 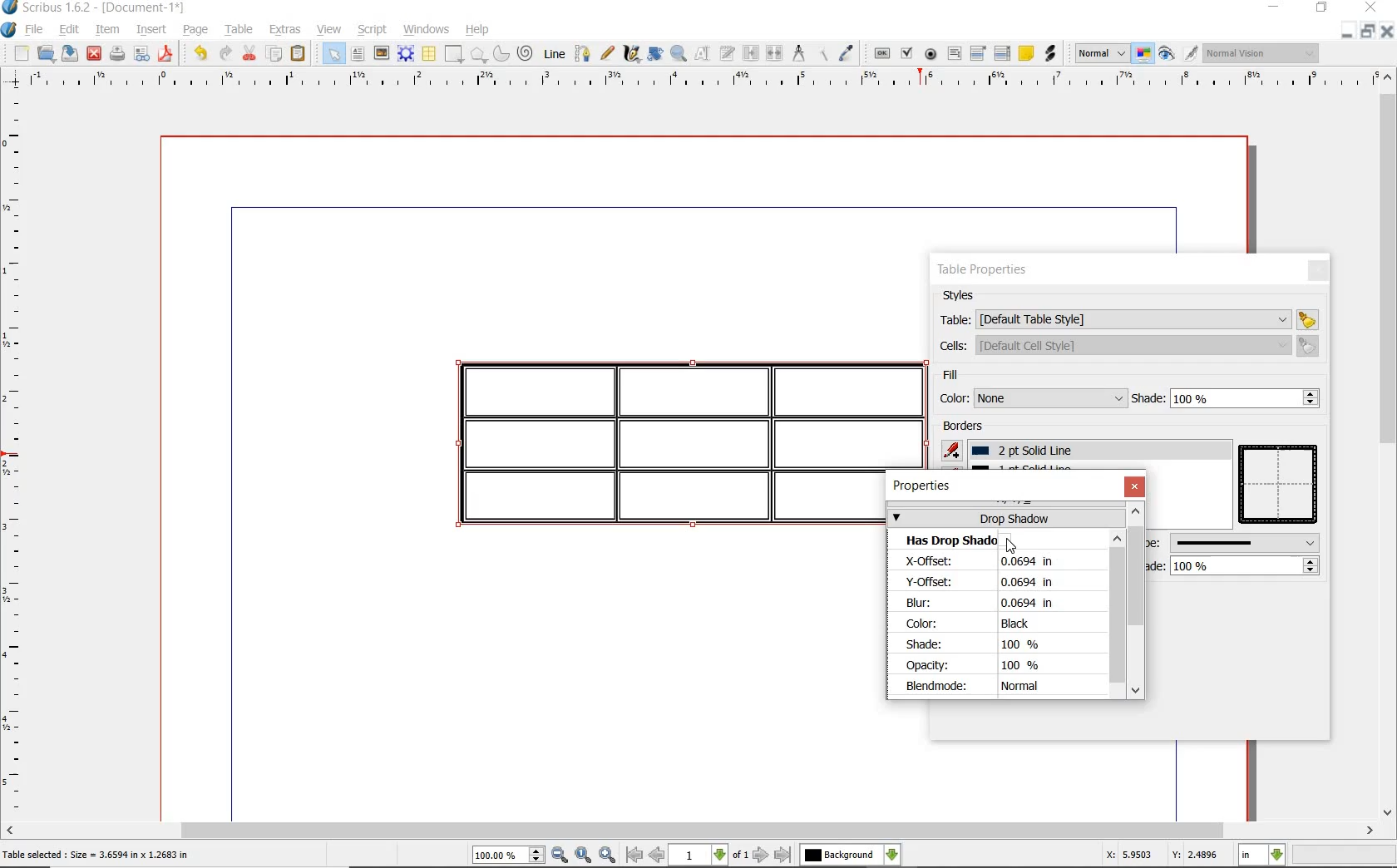 I want to click on edit text with story editor, so click(x=727, y=53).